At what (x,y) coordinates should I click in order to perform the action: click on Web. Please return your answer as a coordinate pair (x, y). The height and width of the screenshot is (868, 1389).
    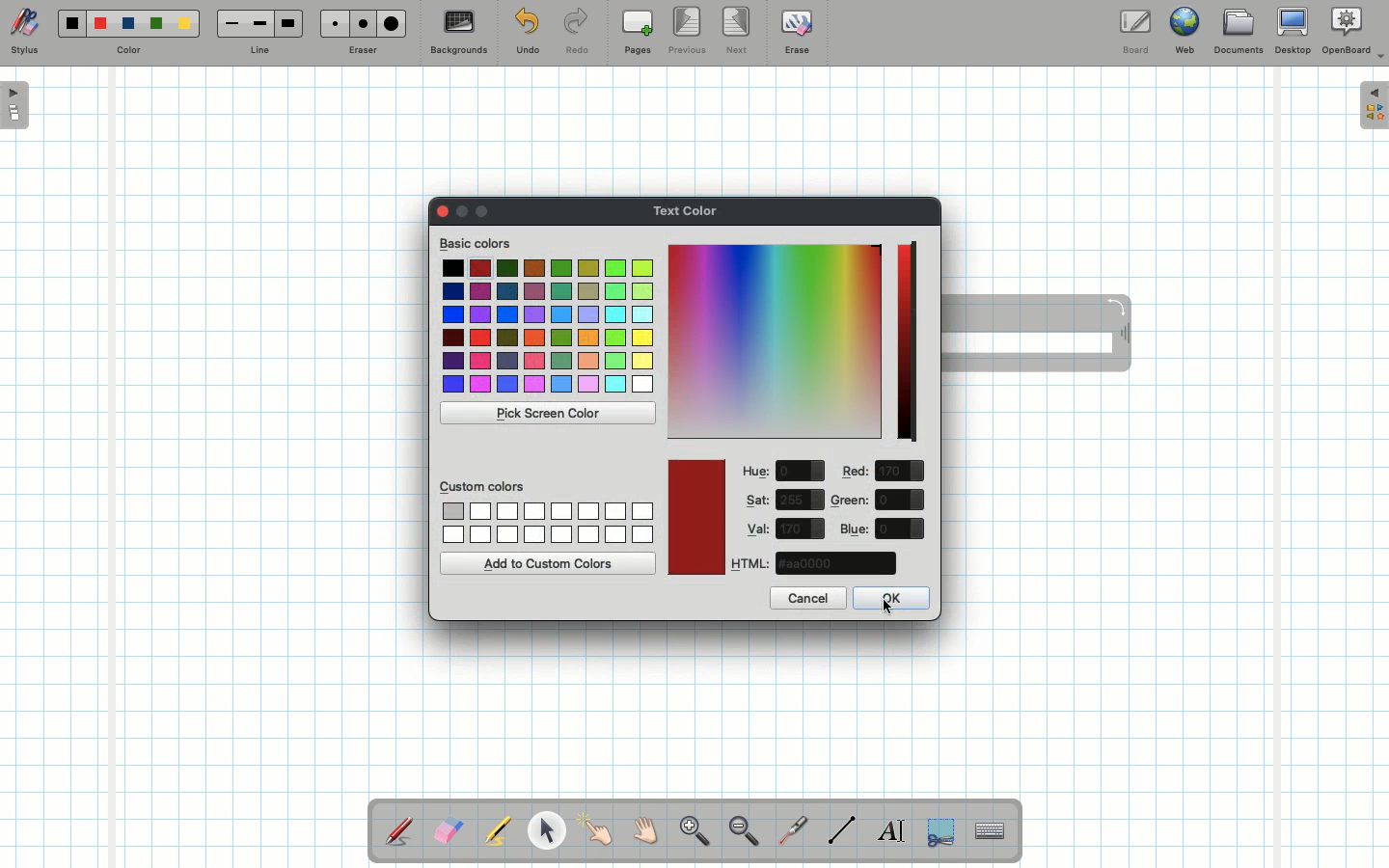
    Looking at the image, I should click on (1184, 35).